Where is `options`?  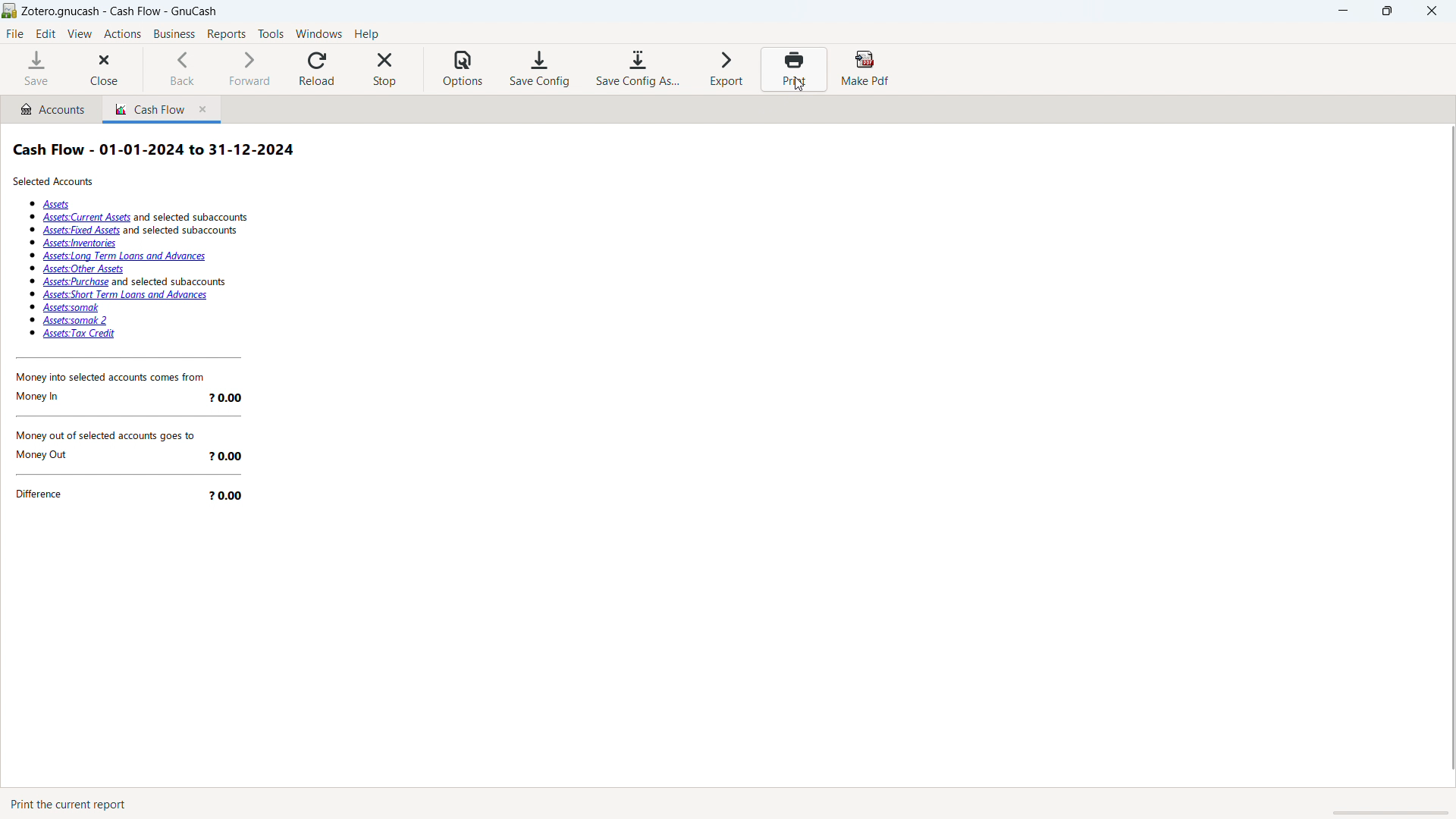
options is located at coordinates (466, 69).